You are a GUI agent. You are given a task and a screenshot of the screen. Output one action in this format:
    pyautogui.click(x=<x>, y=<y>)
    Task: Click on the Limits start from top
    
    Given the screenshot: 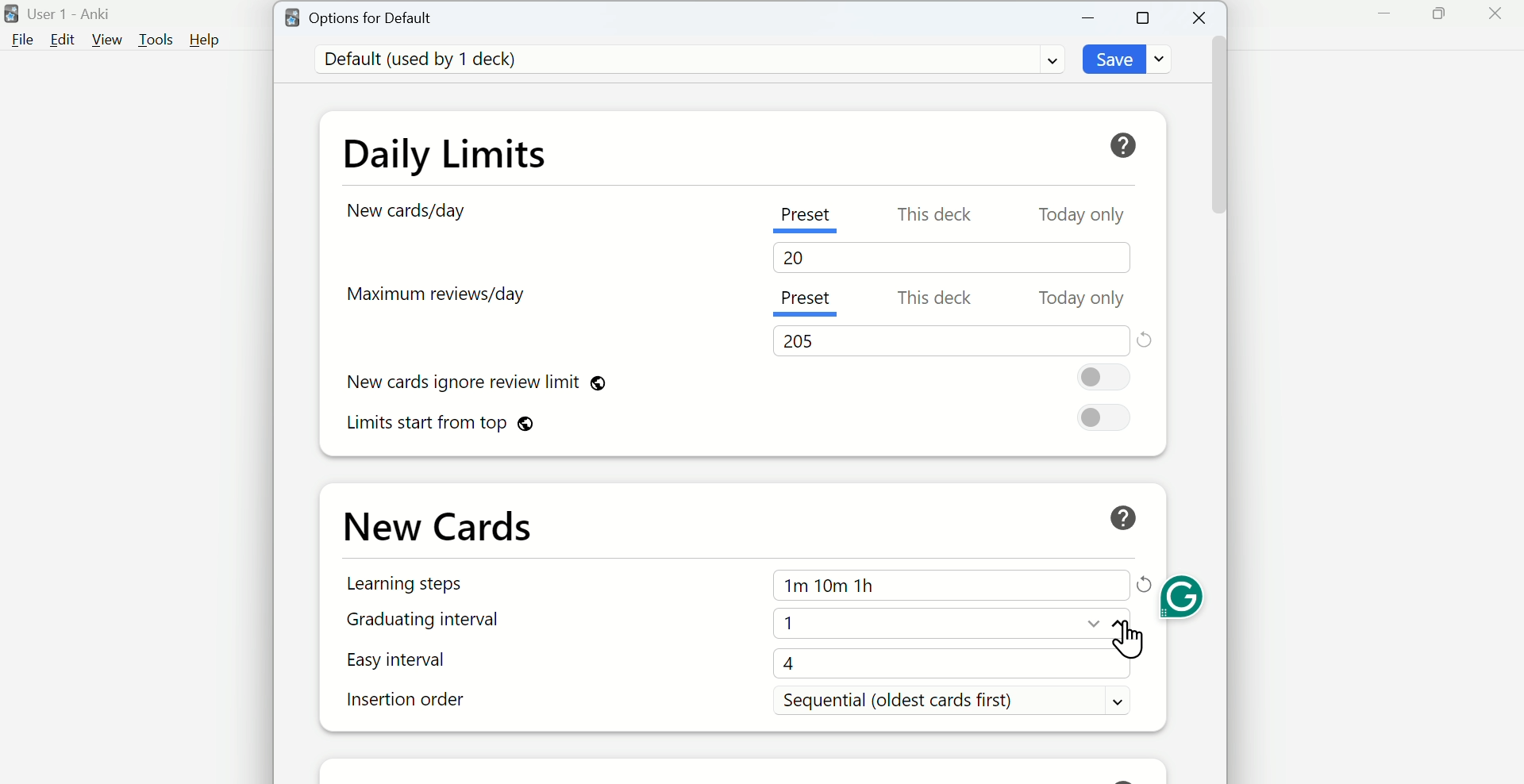 What is the action you would take?
    pyautogui.click(x=441, y=425)
    